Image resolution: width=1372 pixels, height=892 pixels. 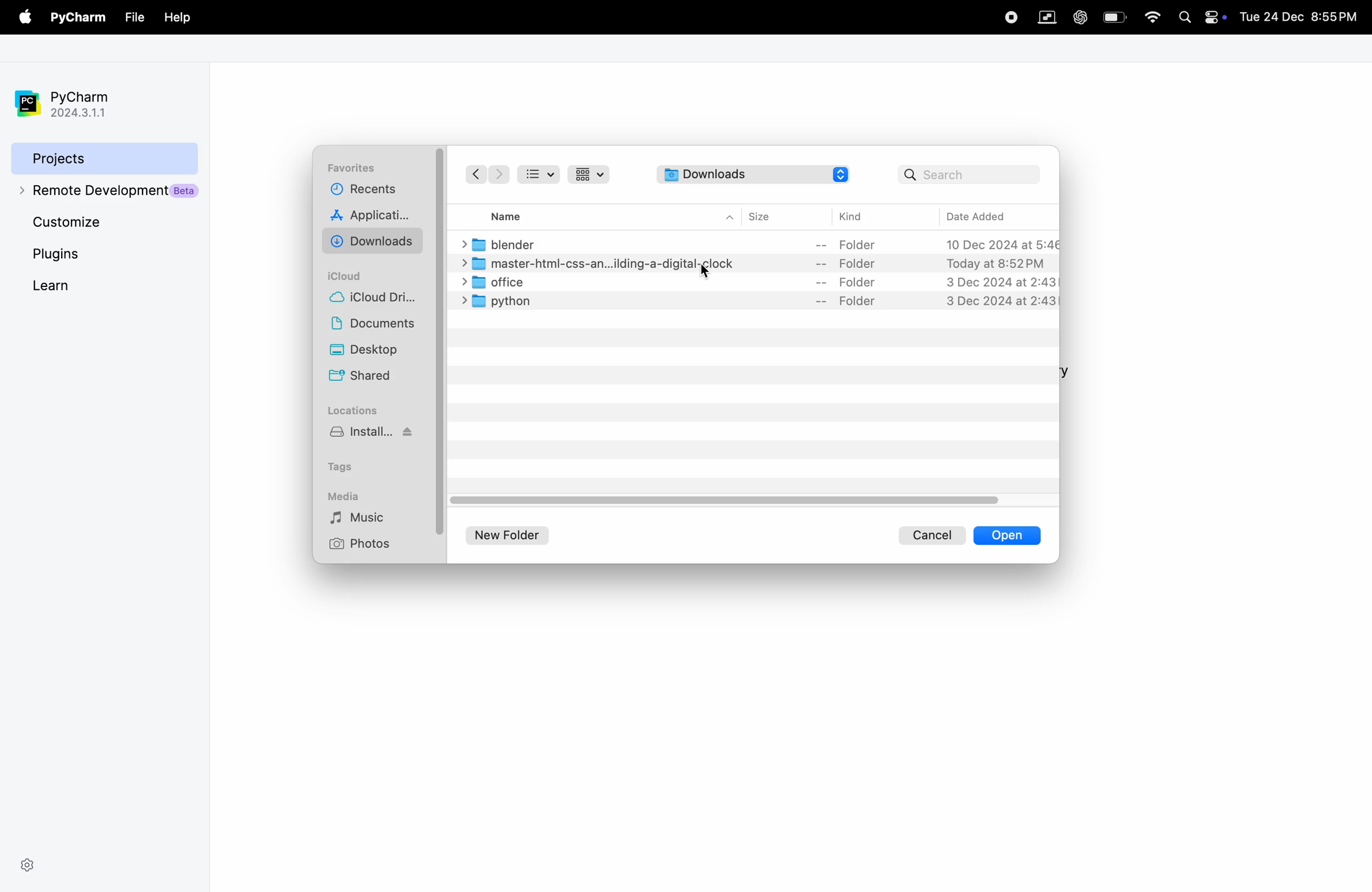 What do you see at coordinates (1217, 16) in the screenshot?
I see `battery` at bounding box center [1217, 16].